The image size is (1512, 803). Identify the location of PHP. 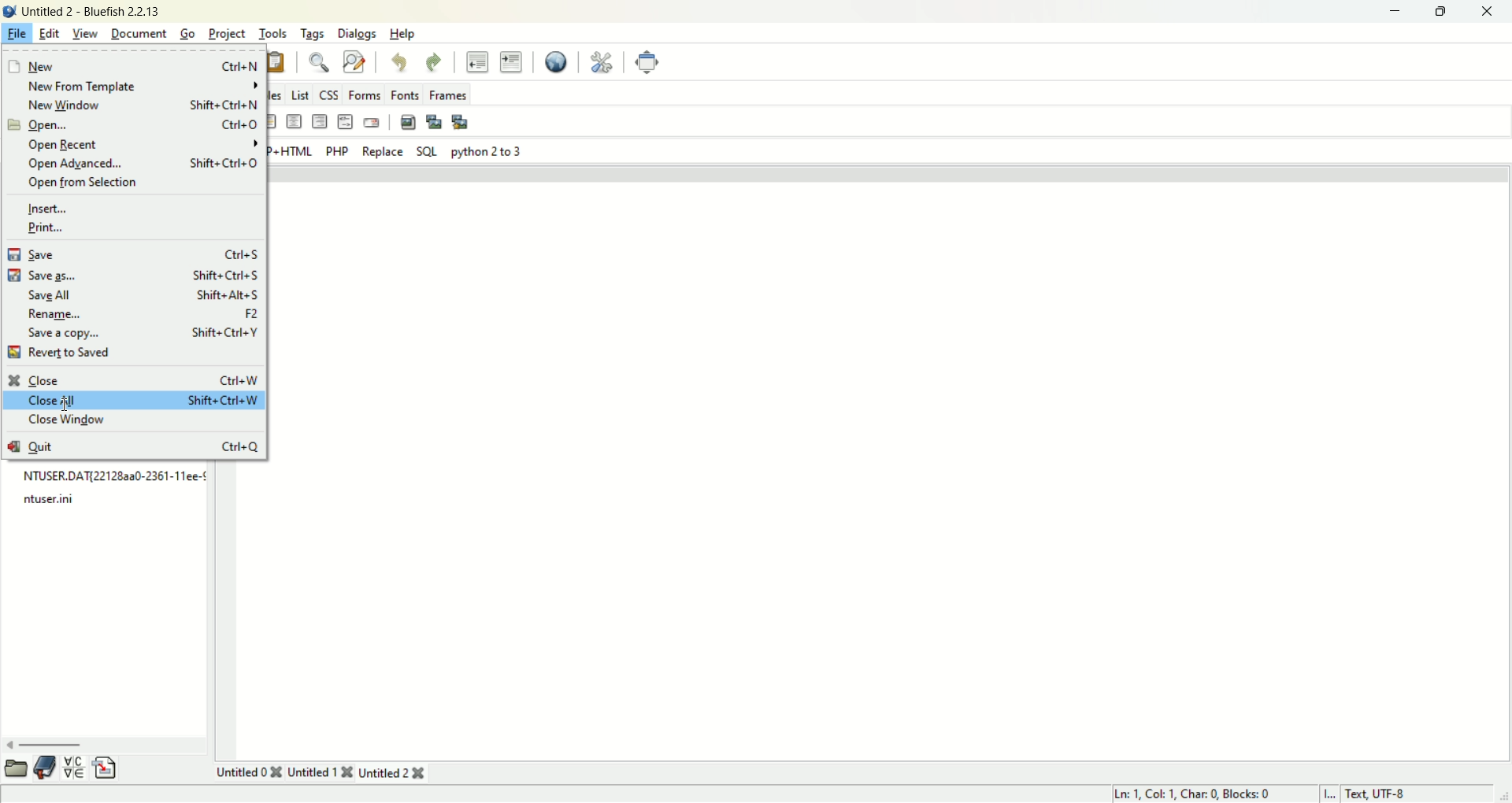
(337, 151).